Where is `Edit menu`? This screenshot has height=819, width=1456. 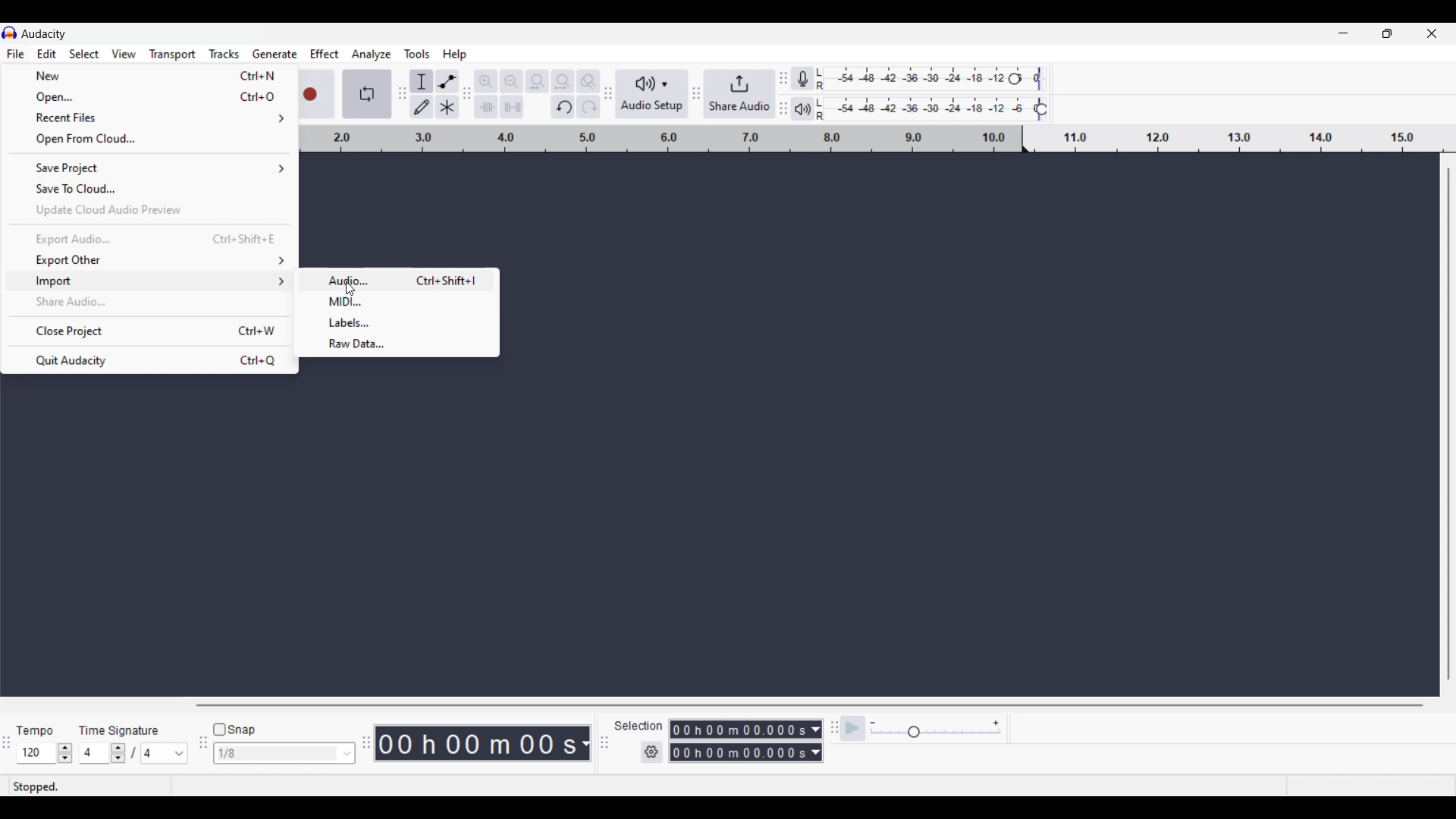 Edit menu is located at coordinates (47, 53).